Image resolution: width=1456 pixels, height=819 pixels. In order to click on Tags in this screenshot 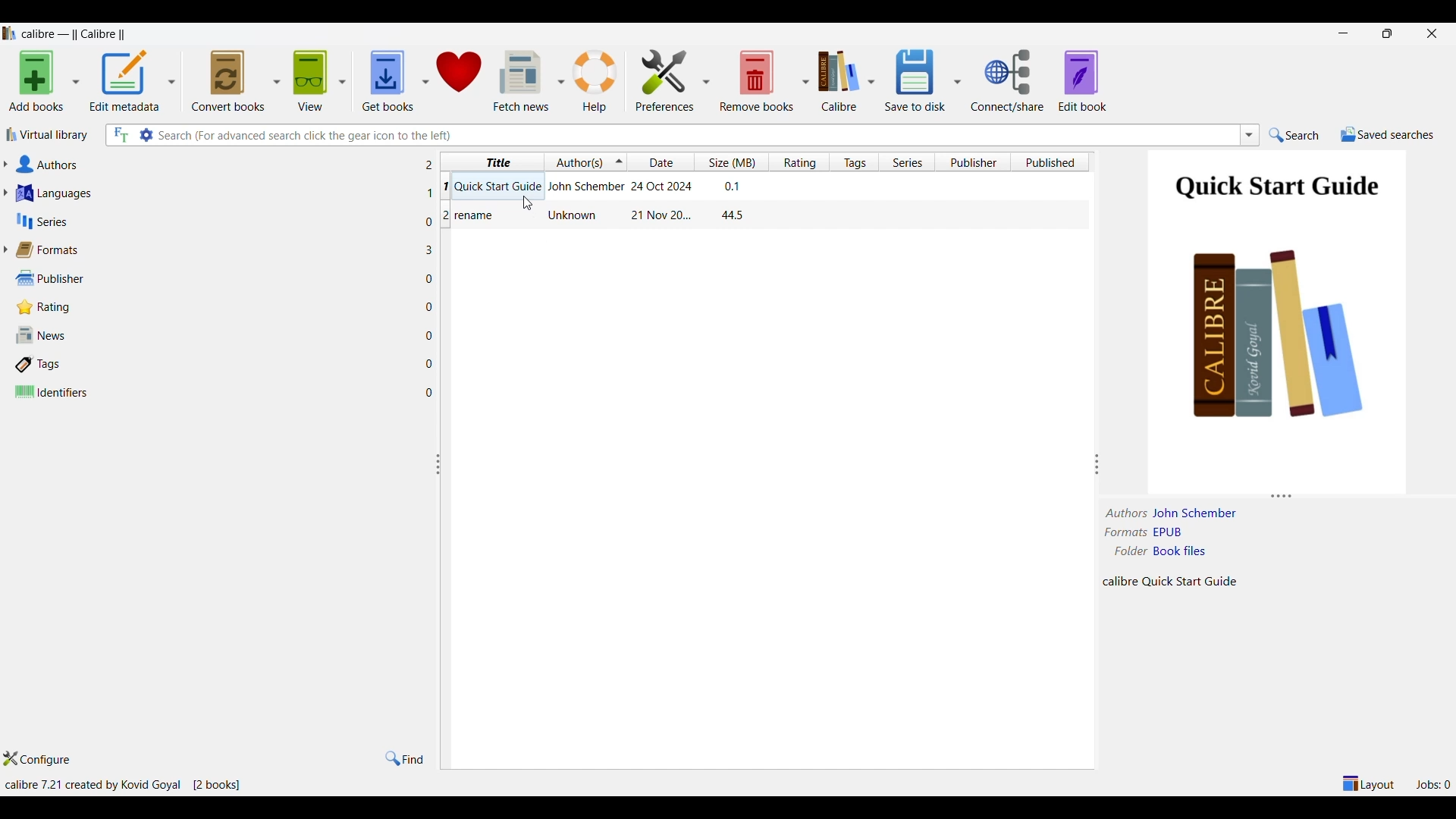, I will do `click(217, 365)`.